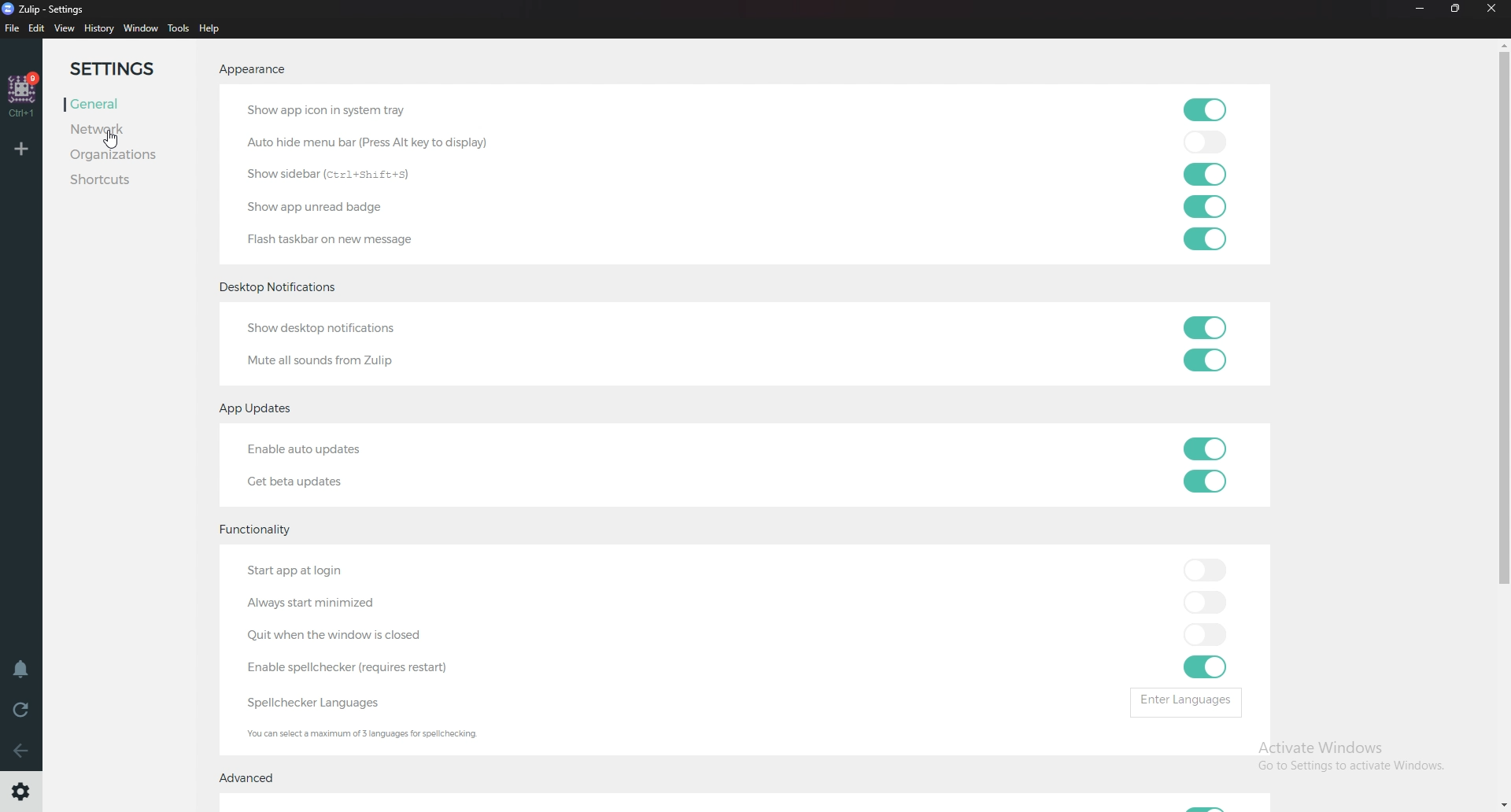 The width and height of the screenshot is (1511, 812). I want to click on settings, so click(122, 69).